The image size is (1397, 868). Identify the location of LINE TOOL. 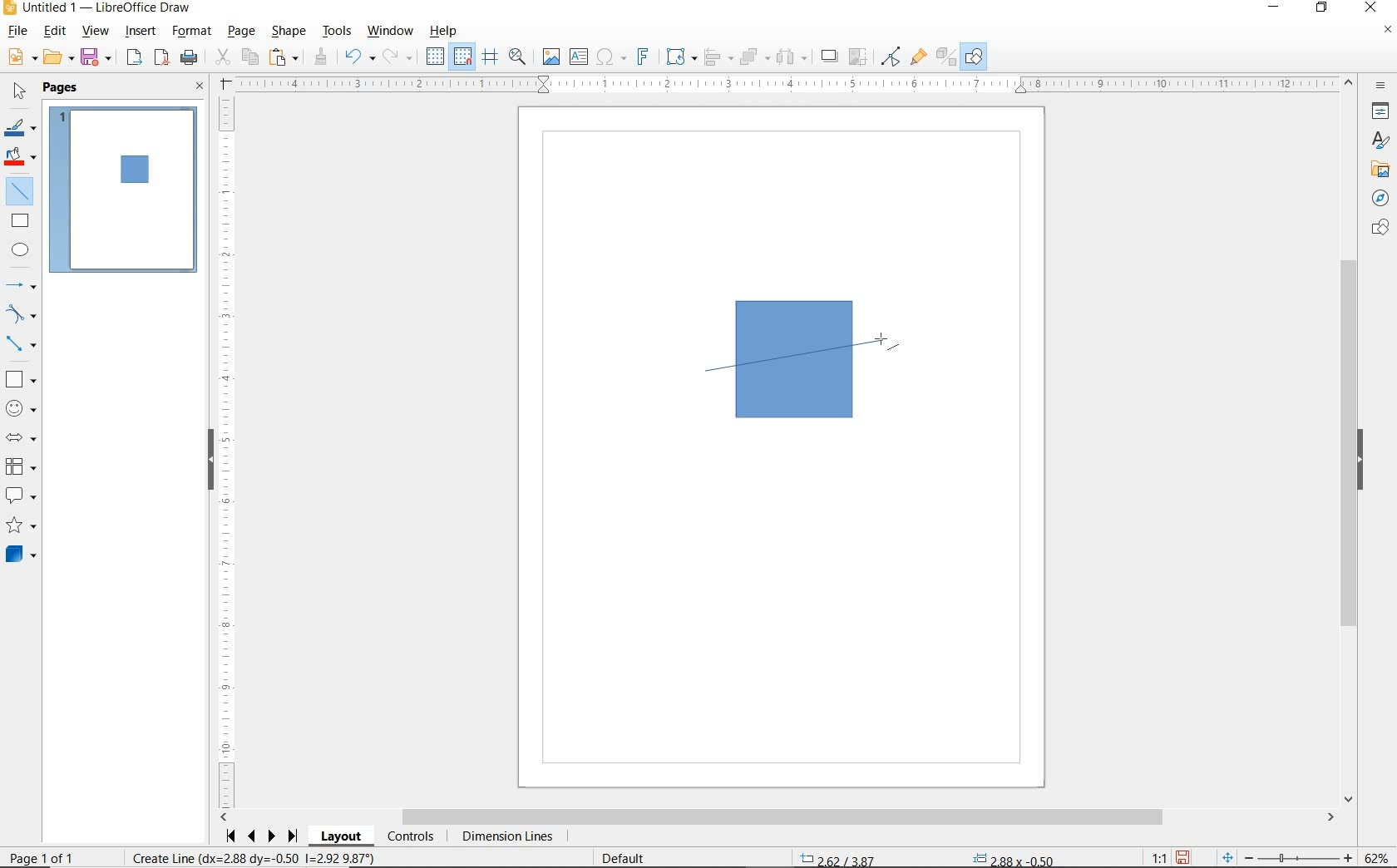
(710, 373).